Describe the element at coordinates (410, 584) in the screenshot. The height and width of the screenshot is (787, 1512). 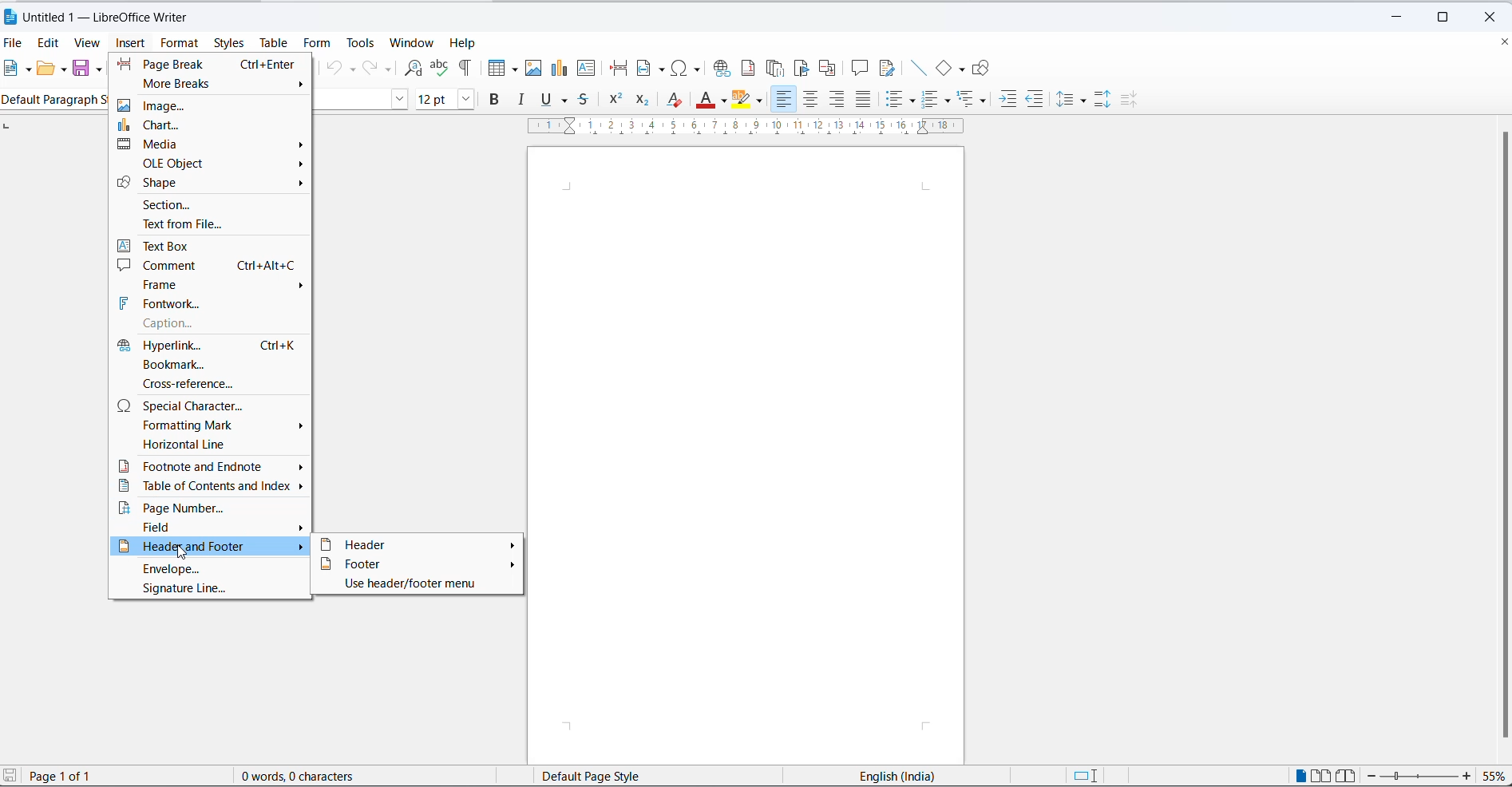
I see `use header/footer menu` at that location.